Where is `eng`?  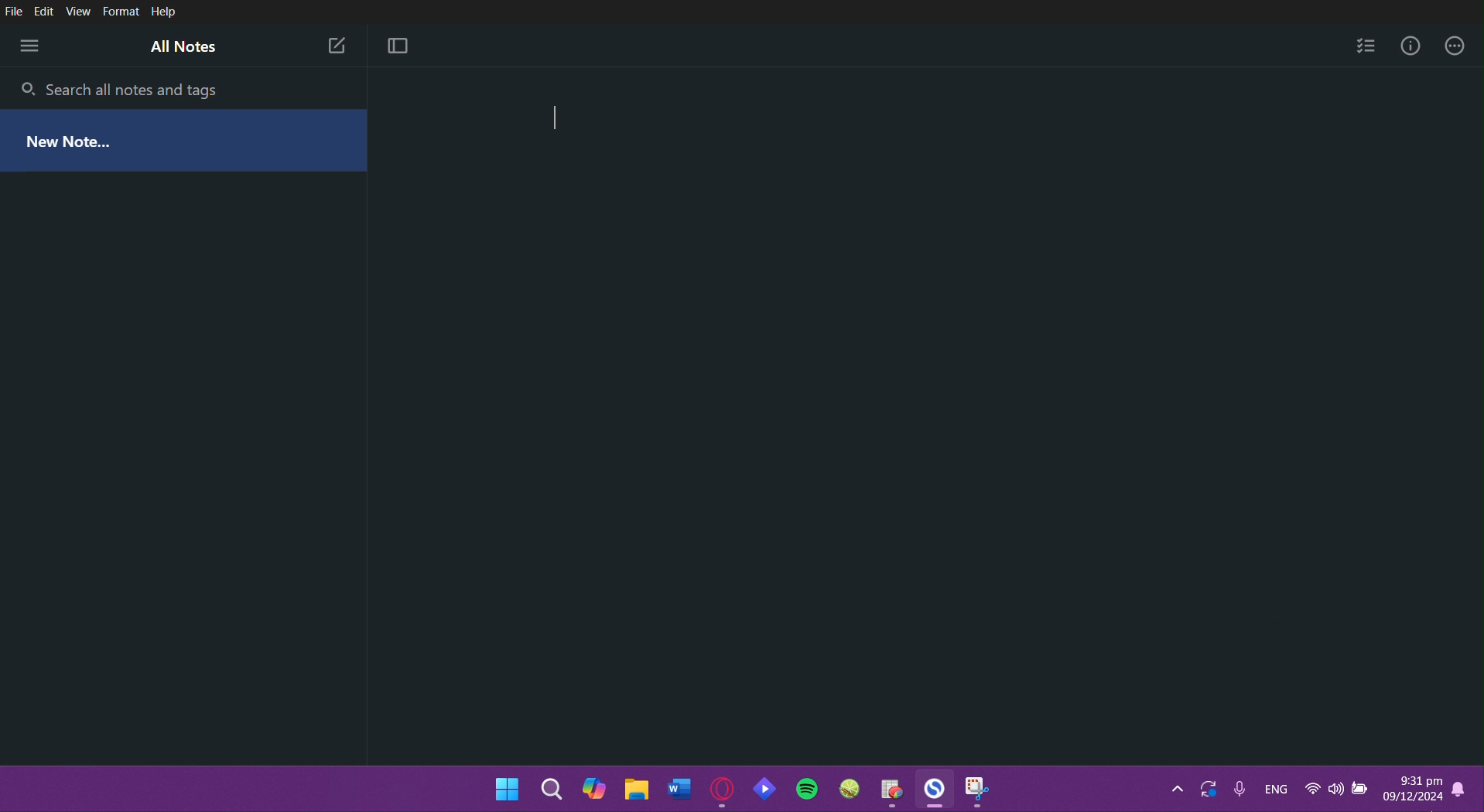
eng is located at coordinates (1277, 788).